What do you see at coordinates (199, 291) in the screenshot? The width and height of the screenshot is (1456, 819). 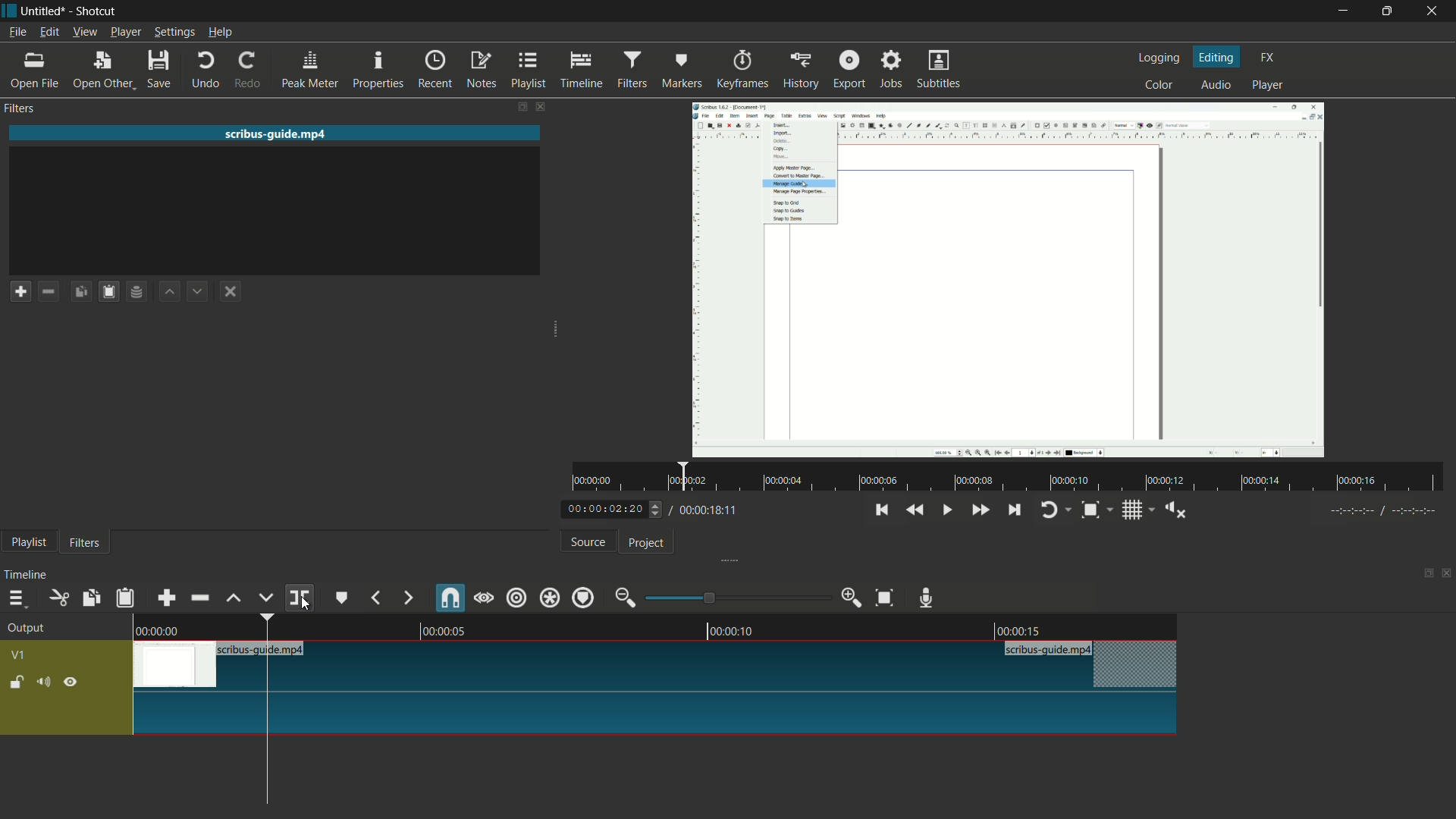 I see `move filter down` at bounding box center [199, 291].